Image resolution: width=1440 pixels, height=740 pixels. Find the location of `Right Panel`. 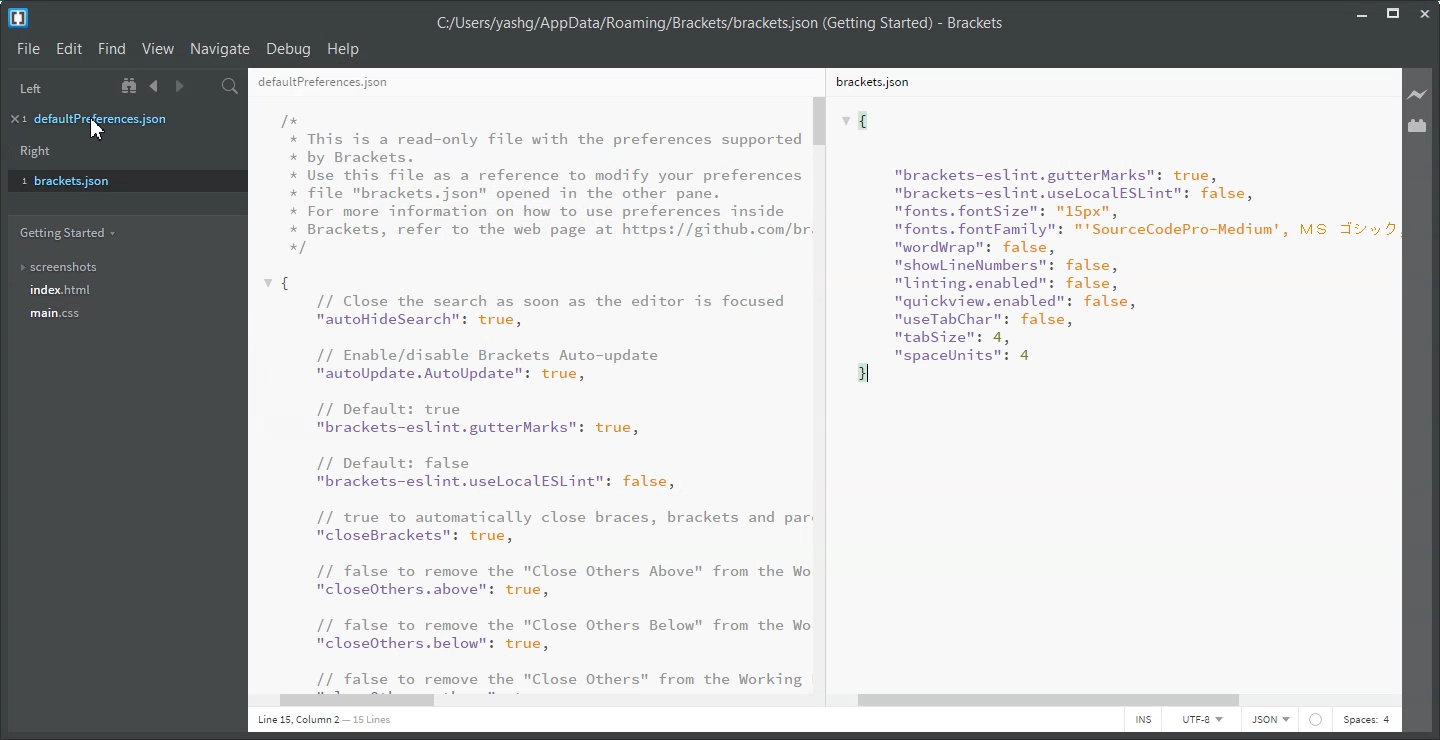

Right Panel is located at coordinates (33, 152).